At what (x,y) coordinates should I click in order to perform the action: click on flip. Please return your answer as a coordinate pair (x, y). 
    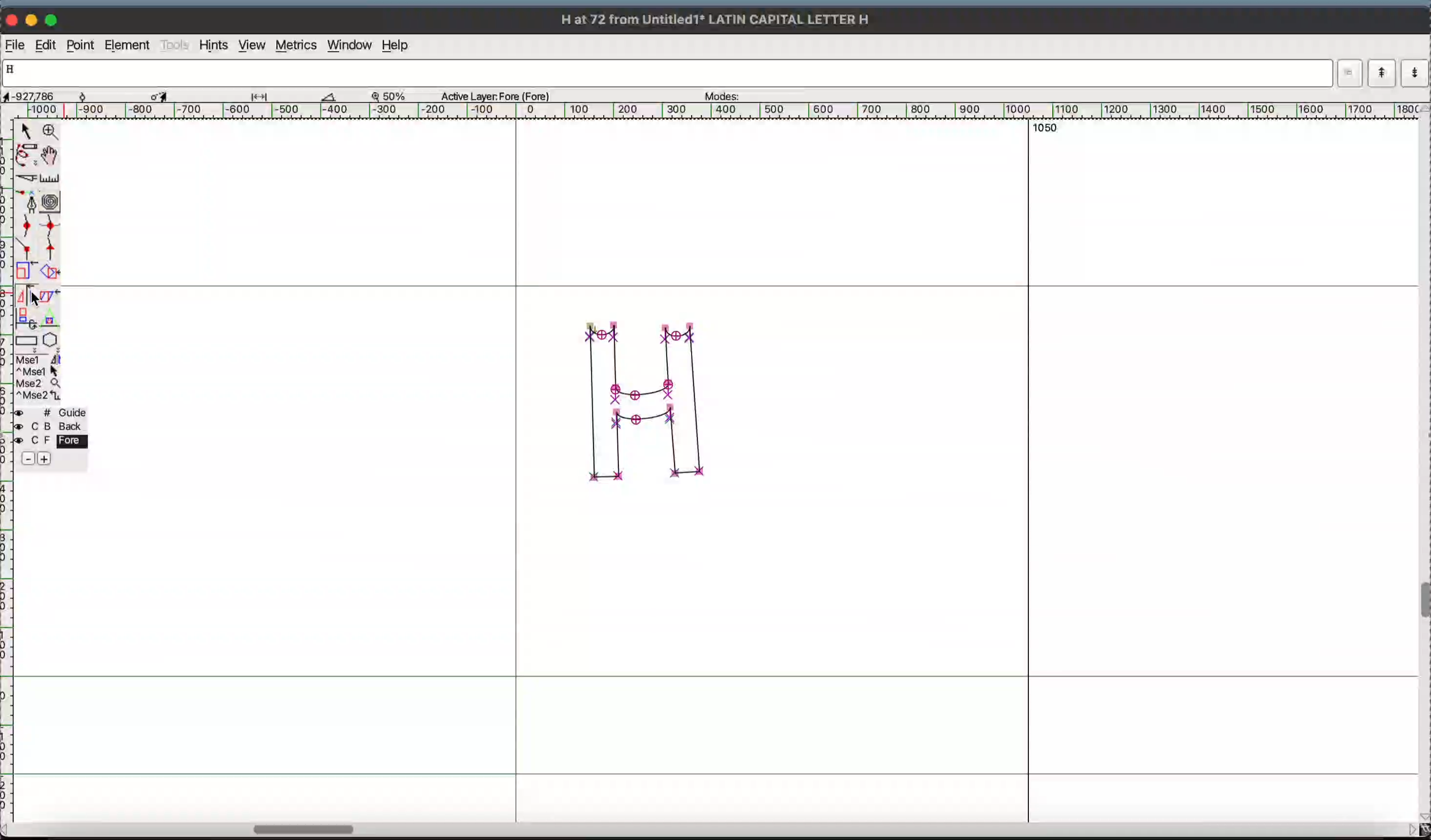
    Looking at the image, I should click on (27, 293).